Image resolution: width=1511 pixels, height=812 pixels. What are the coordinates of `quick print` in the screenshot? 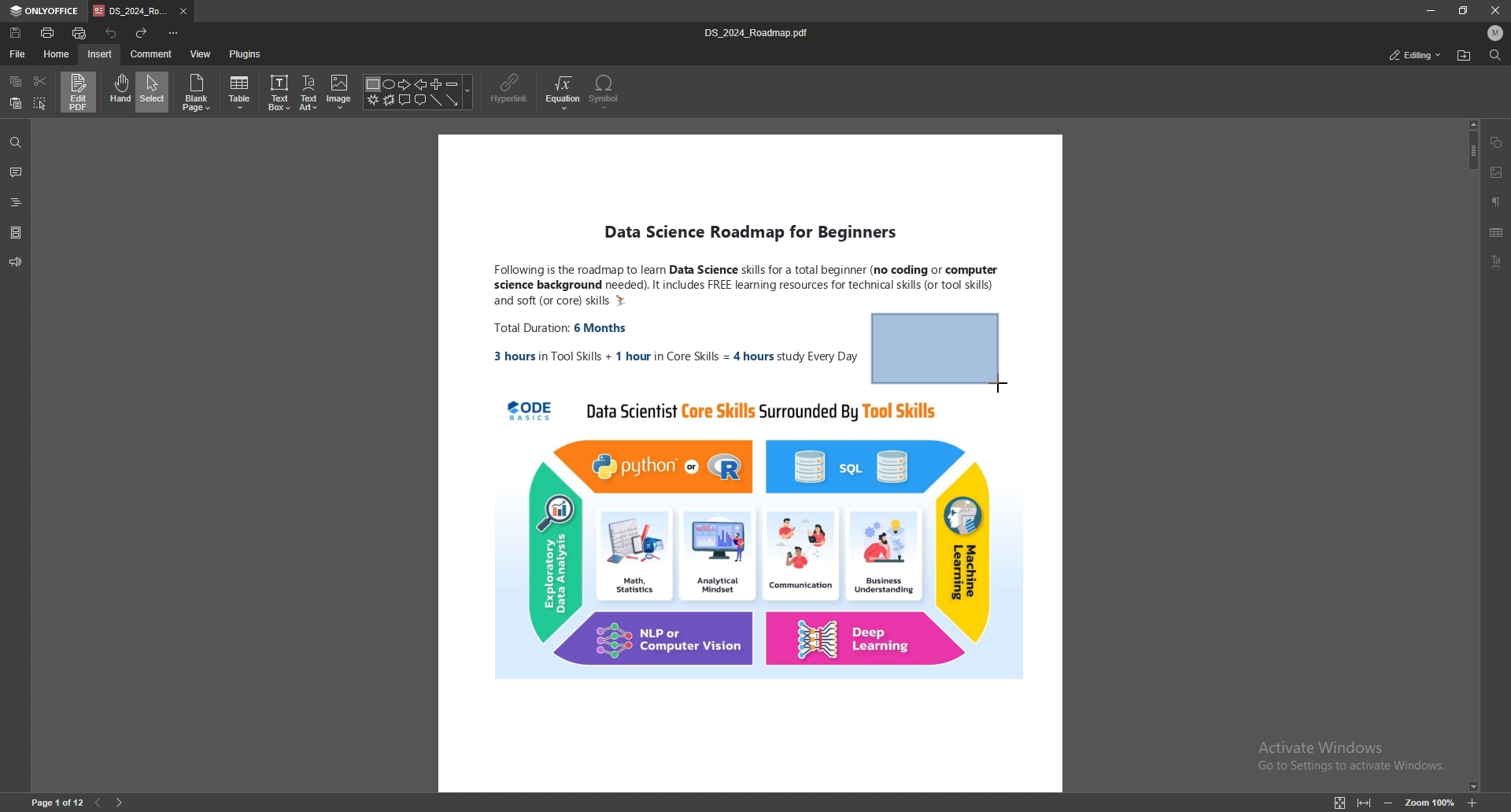 It's located at (83, 31).